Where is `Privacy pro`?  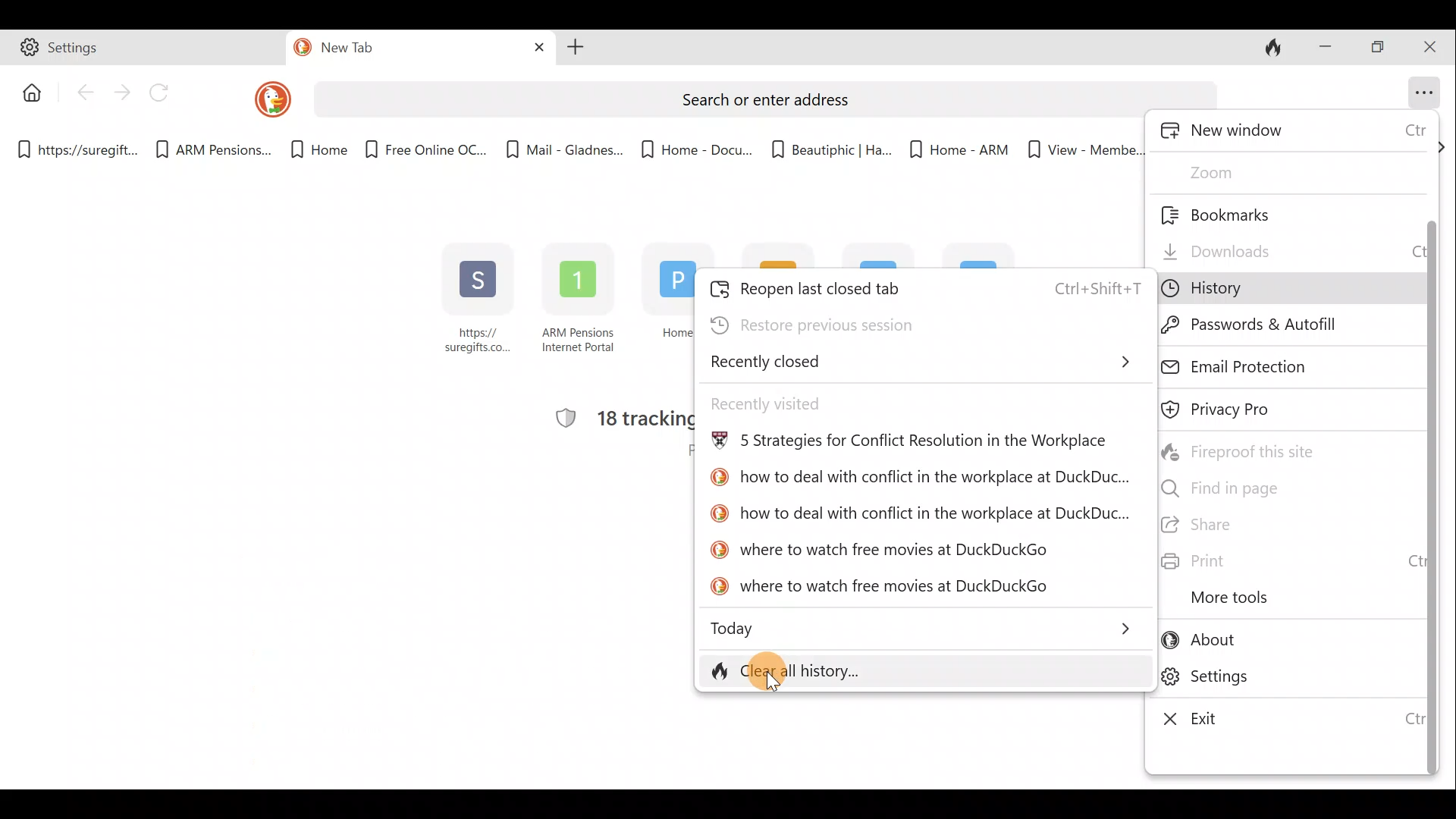 Privacy pro is located at coordinates (1249, 410).